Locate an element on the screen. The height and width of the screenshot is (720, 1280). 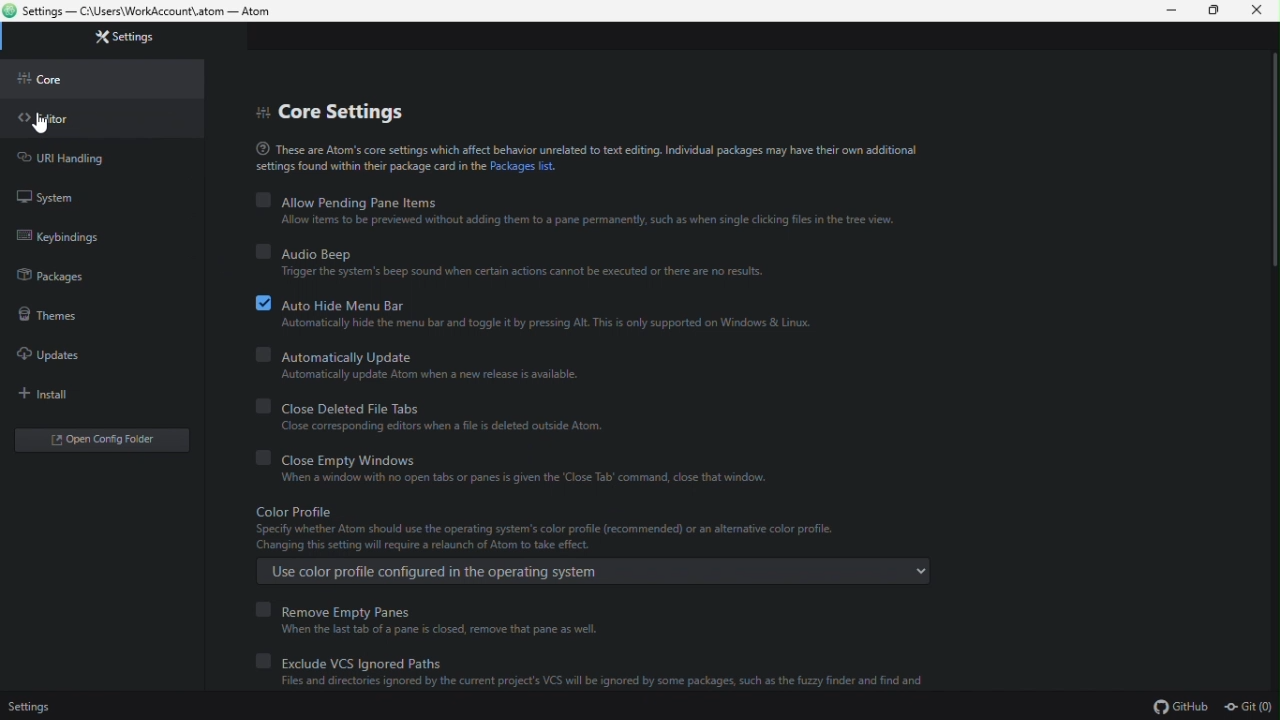
Close empty Windows is located at coordinates (507, 457).